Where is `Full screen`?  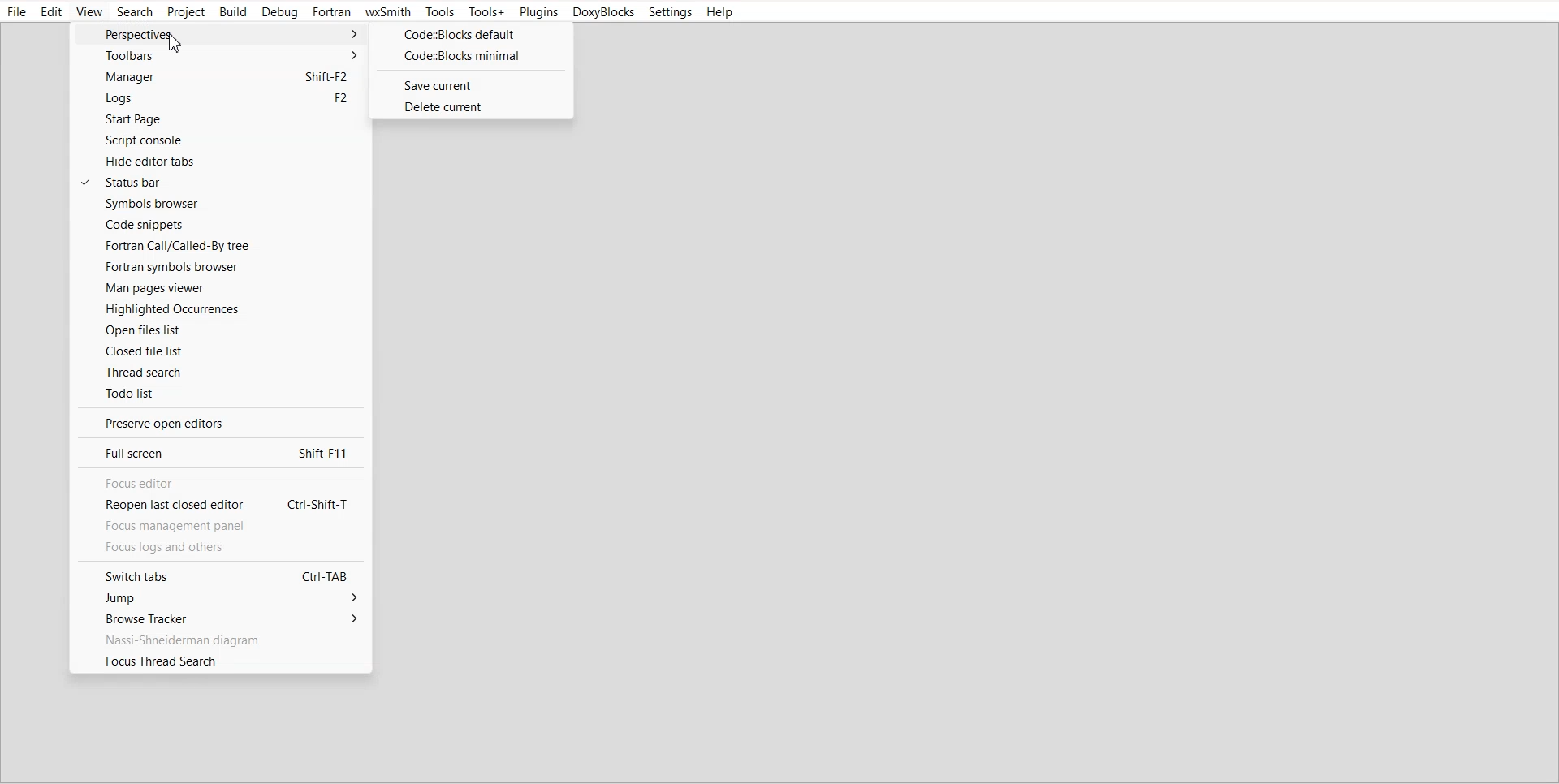
Full screen is located at coordinates (216, 452).